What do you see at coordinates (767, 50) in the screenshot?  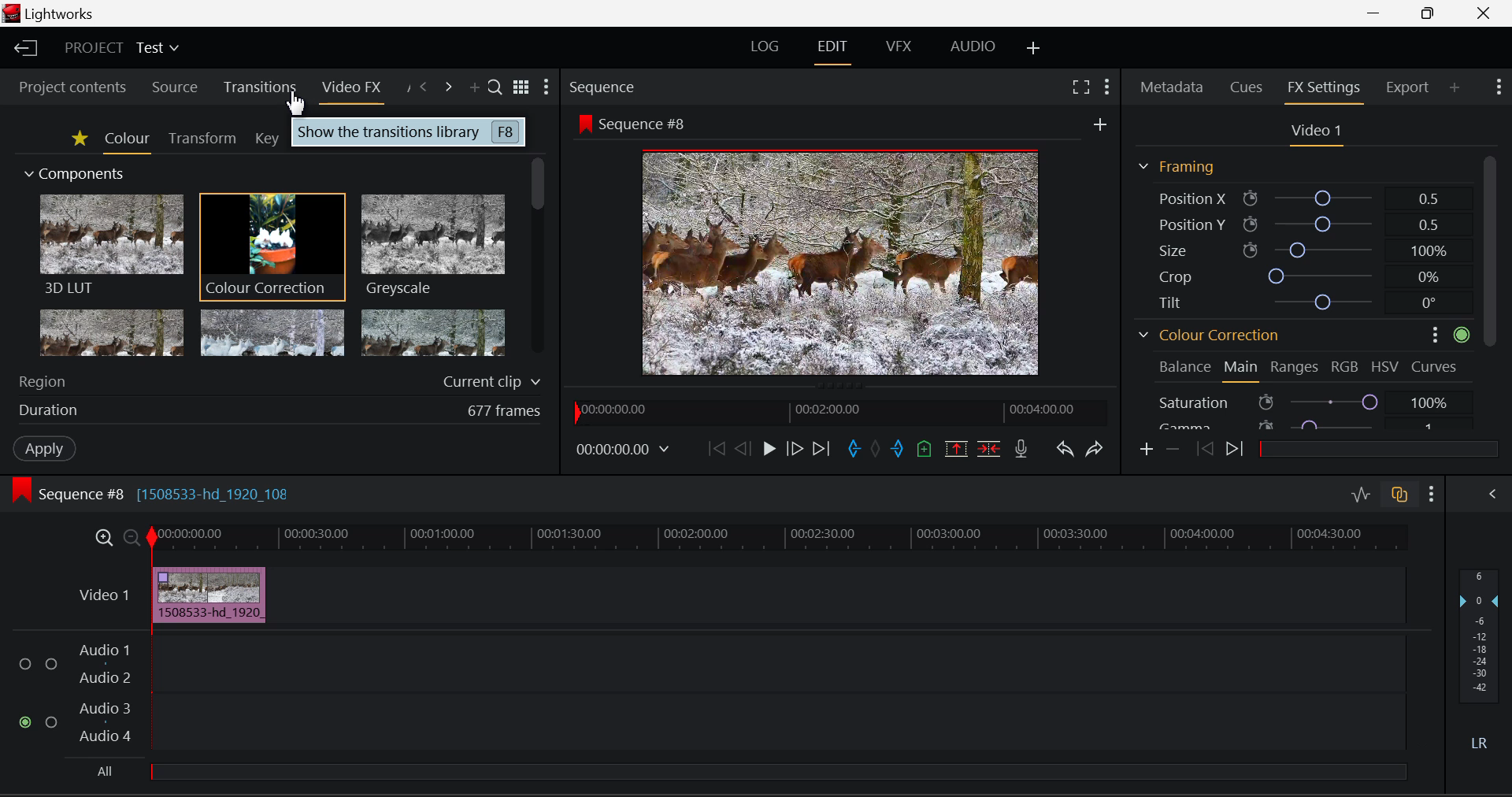 I see `LOG Layout` at bounding box center [767, 50].